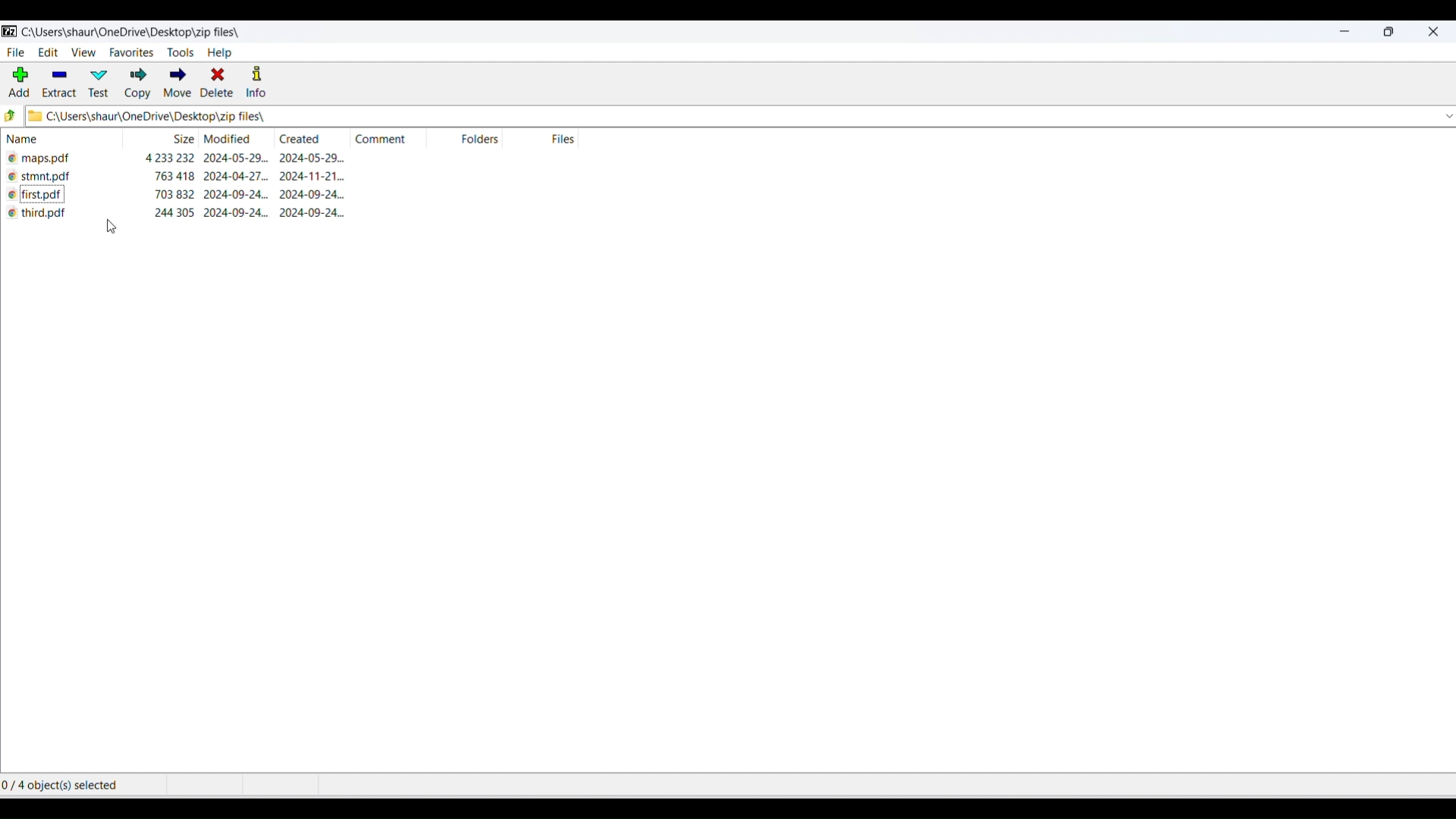  I want to click on dropdown, so click(1447, 118).